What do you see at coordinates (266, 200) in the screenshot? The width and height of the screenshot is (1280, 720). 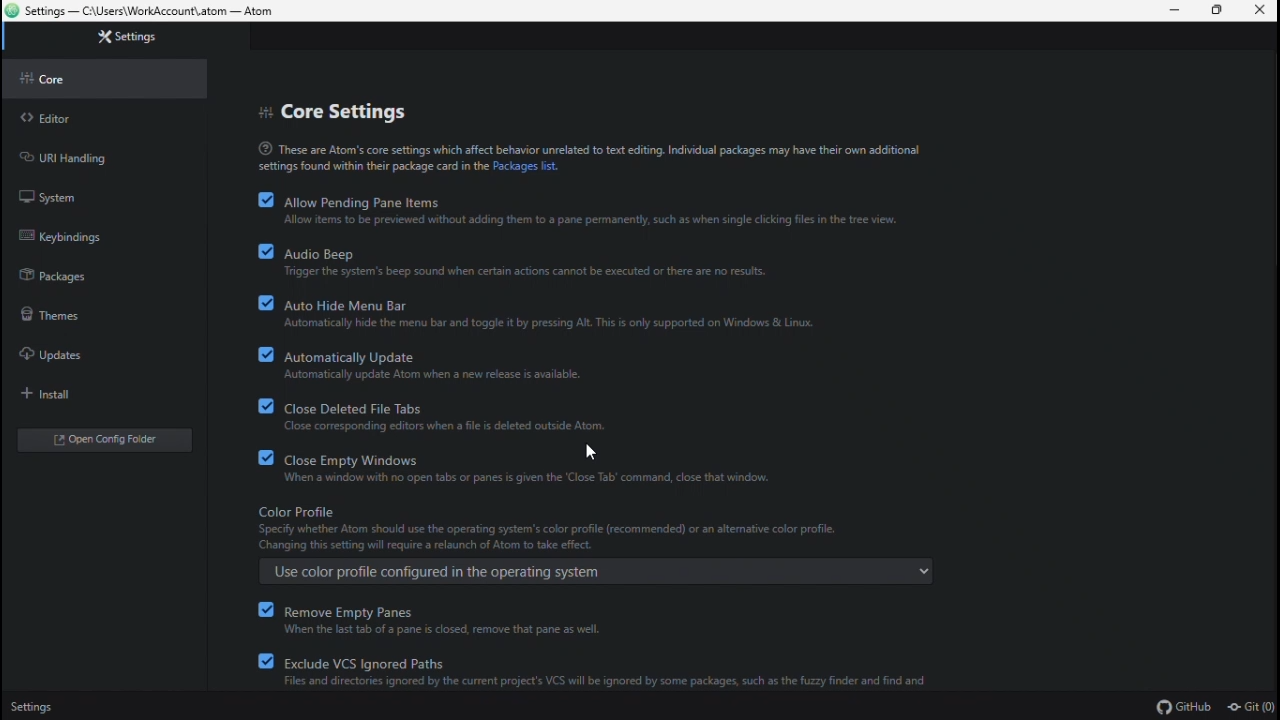 I see `checkbox` at bounding box center [266, 200].